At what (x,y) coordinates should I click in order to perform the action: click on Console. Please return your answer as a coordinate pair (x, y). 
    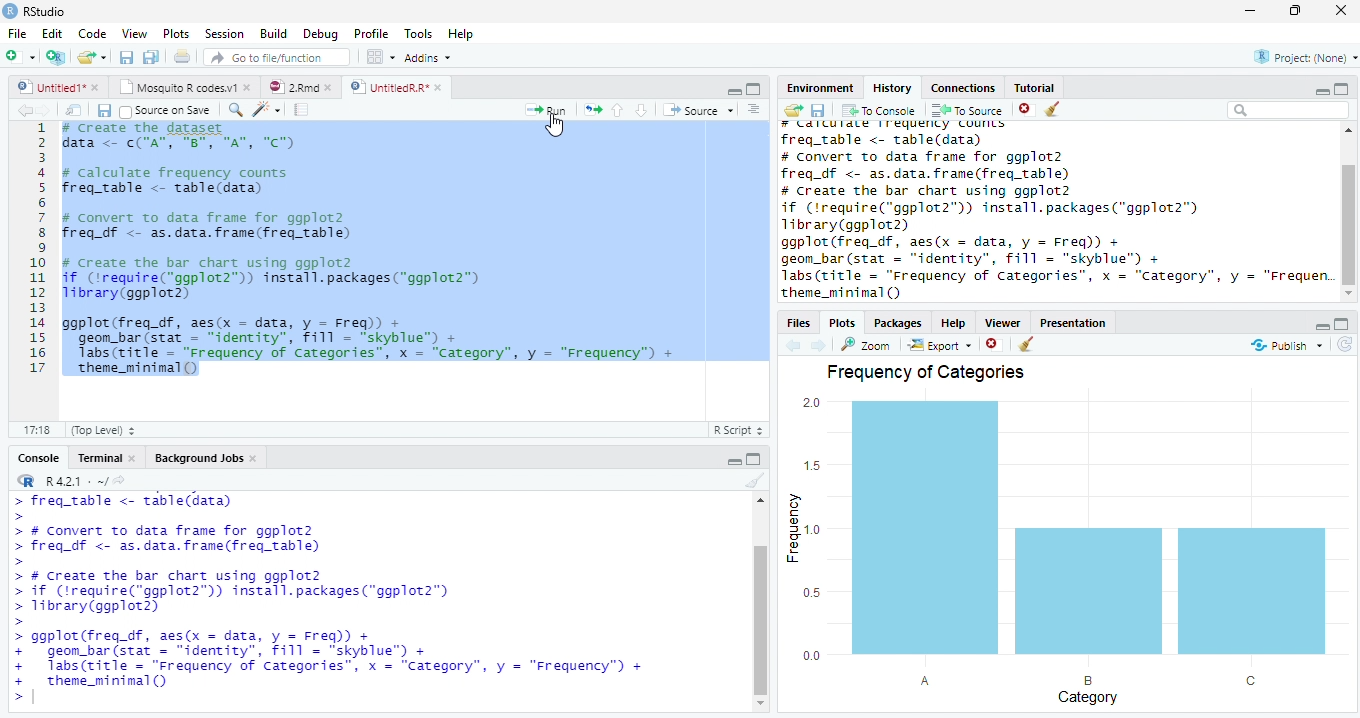
    Looking at the image, I should click on (41, 457).